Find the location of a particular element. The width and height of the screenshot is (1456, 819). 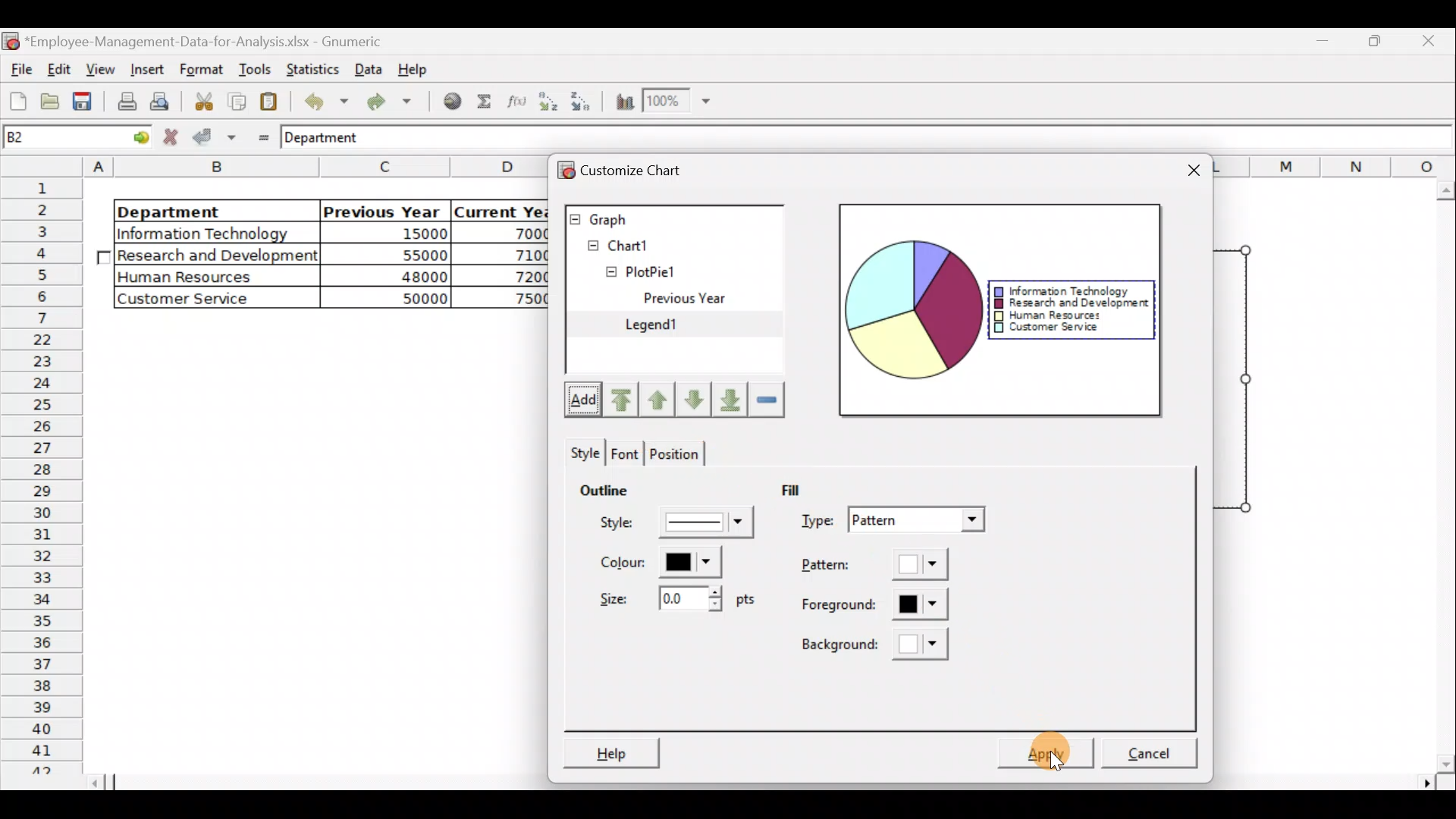

Sum into the current cell is located at coordinates (485, 100).